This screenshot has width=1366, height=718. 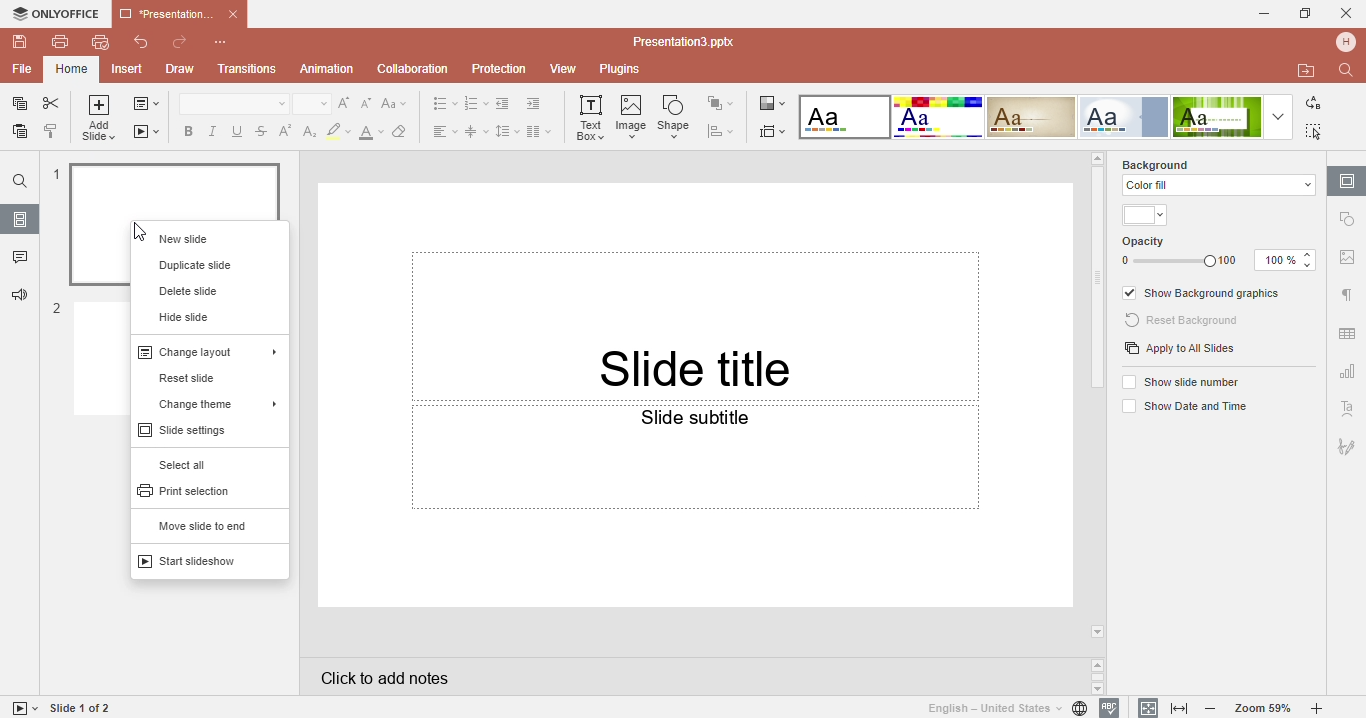 What do you see at coordinates (566, 70) in the screenshot?
I see `View` at bounding box center [566, 70].